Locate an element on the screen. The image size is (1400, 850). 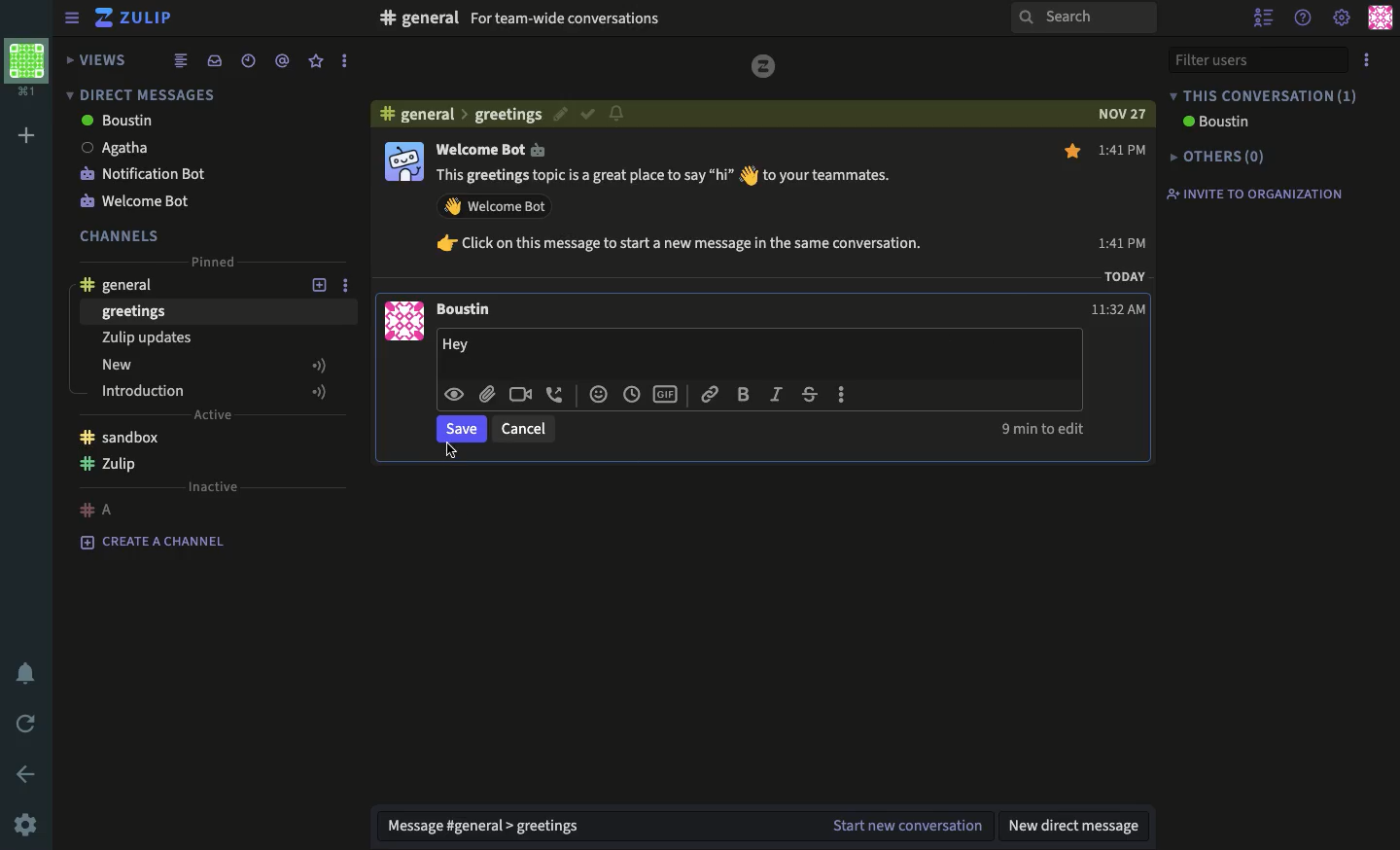
time is located at coordinates (249, 60).